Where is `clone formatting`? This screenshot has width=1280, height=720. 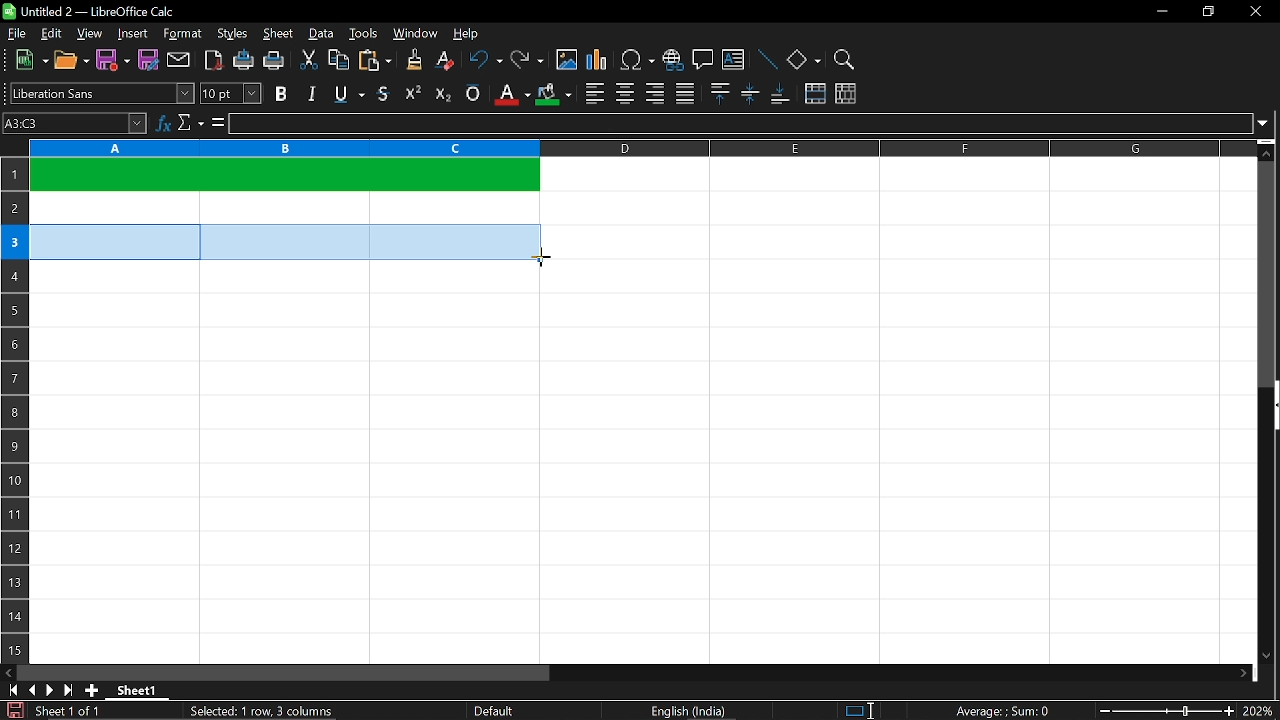
clone formatting is located at coordinates (409, 60).